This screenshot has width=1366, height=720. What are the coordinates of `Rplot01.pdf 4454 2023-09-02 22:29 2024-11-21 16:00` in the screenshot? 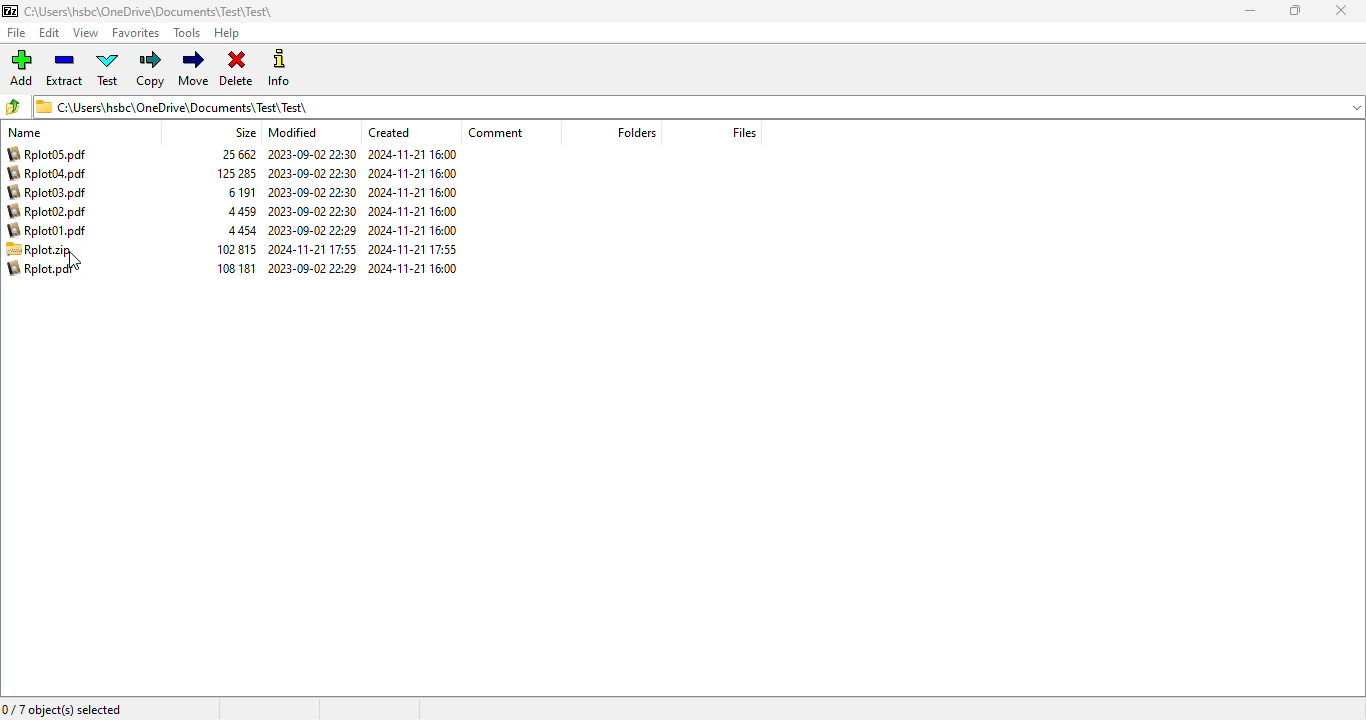 It's located at (236, 230).